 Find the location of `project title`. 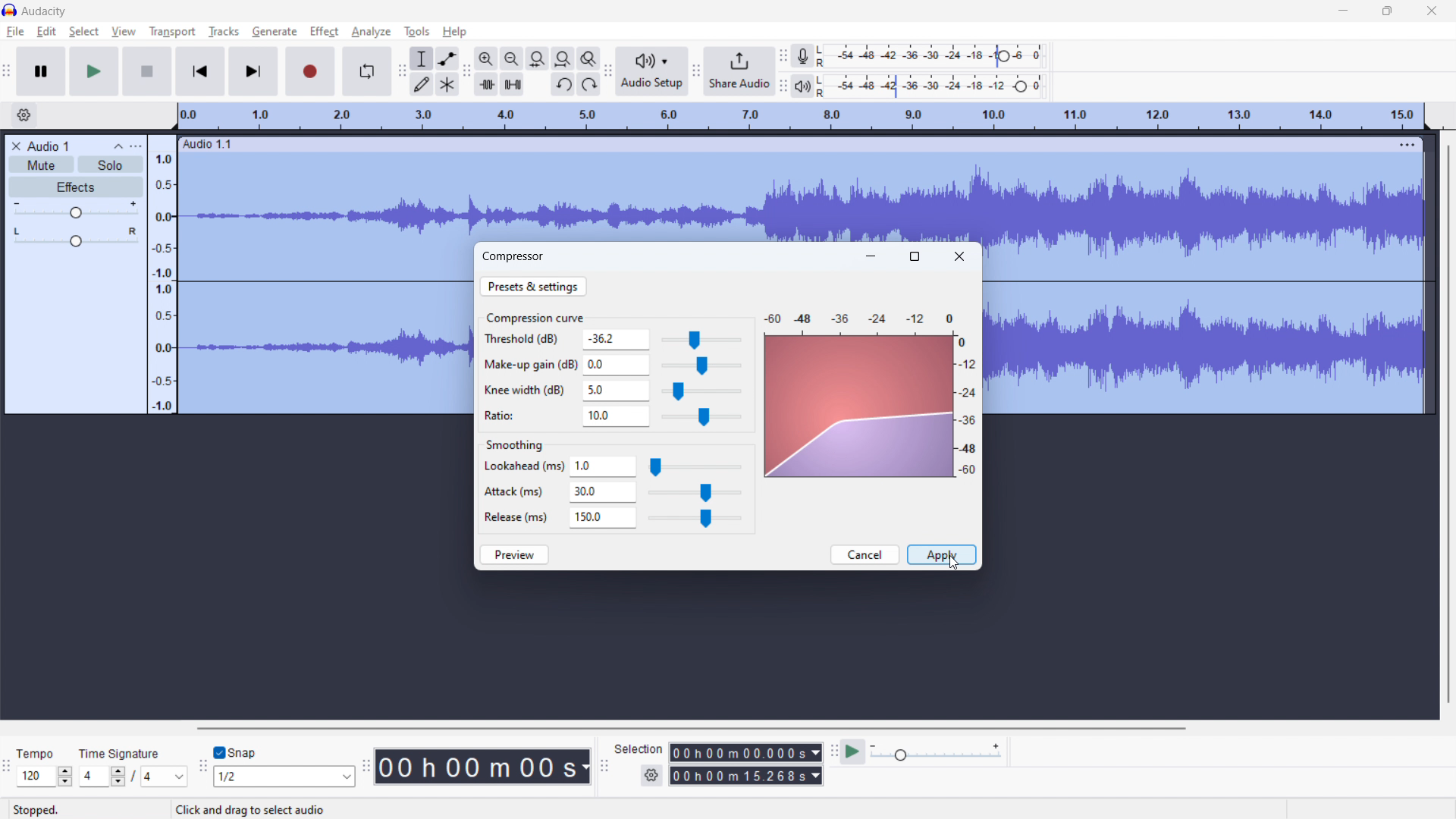

project title is located at coordinates (48, 146).